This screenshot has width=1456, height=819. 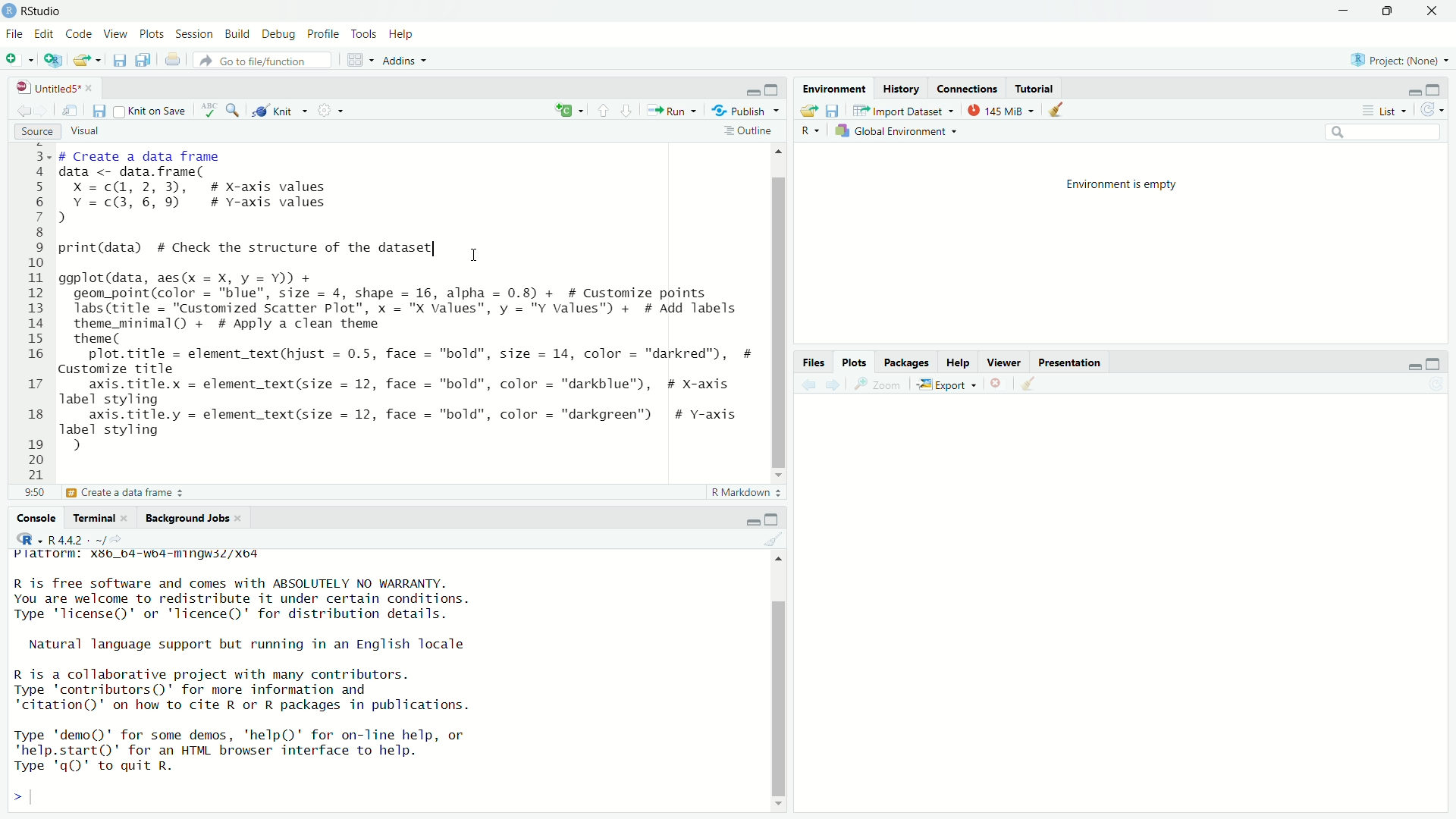 I want to click on Clear console, so click(x=1032, y=385).